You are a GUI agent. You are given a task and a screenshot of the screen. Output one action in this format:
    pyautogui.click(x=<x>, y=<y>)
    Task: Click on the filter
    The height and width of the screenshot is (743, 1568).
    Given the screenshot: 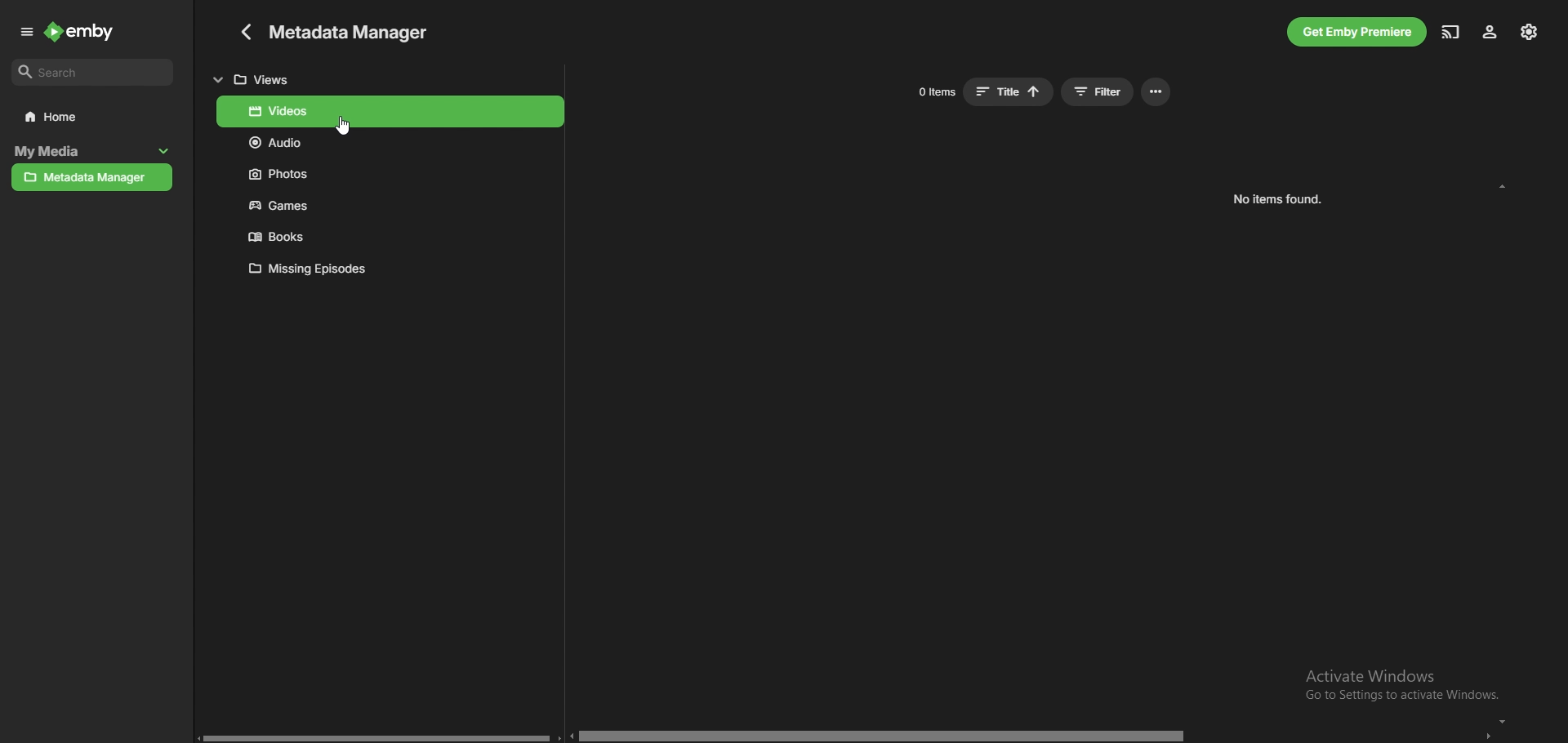 What is the action you would take?
    pyautogui.click(x=1097, y=93)
    